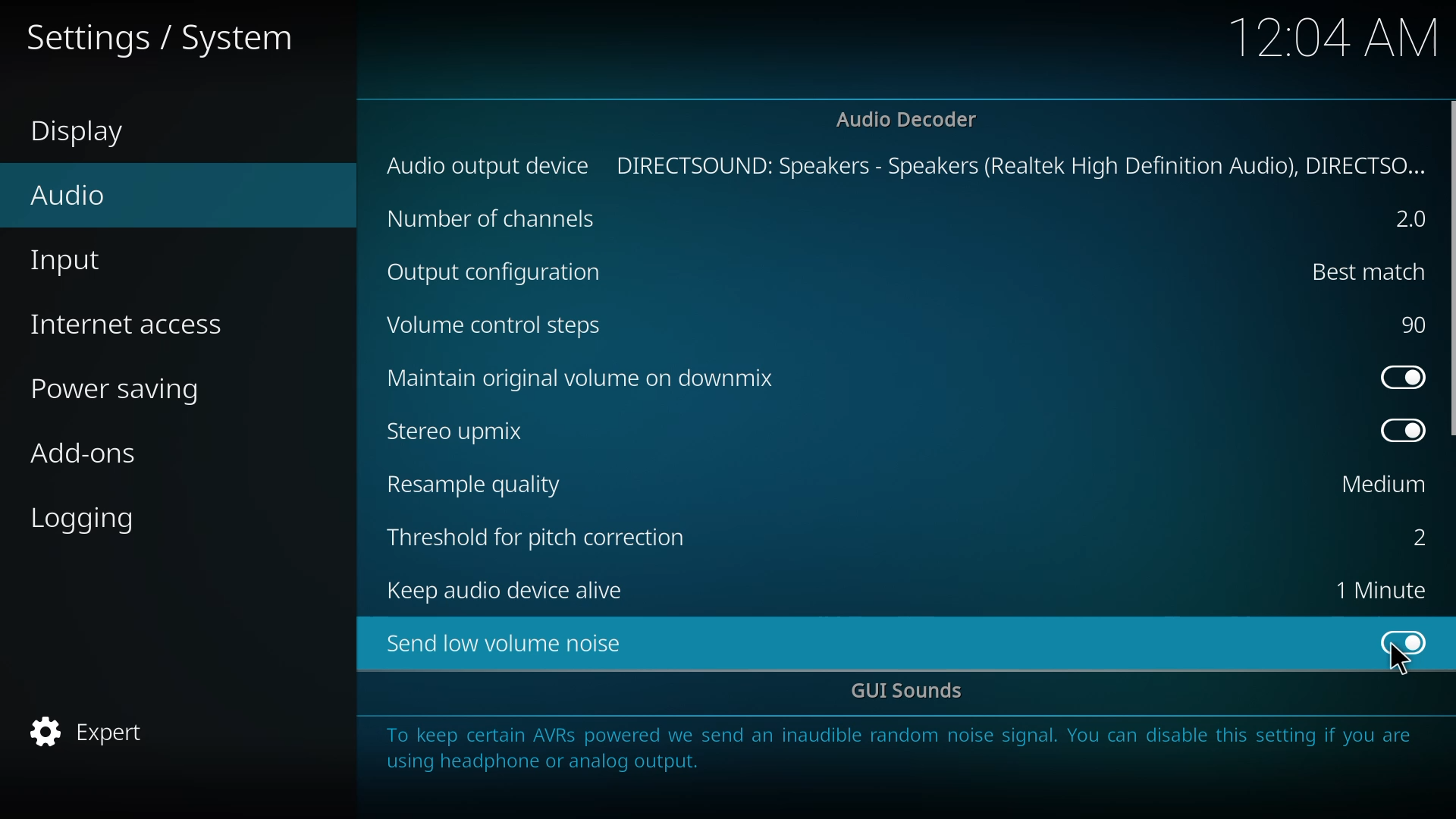 This screenshot has height=819, width=1456. I want to click on stereo upmix, so click(466, 431).